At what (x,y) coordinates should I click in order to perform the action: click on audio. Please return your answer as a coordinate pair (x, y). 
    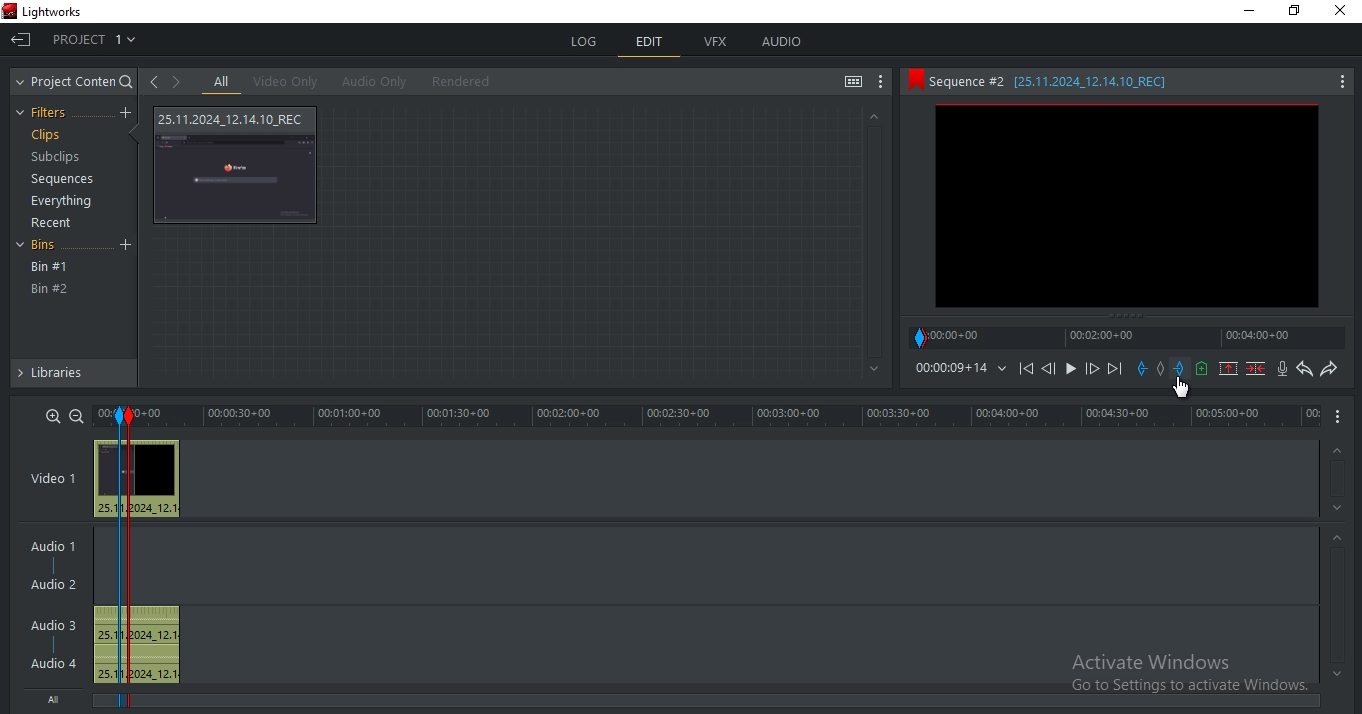
    Looking at the image, I should click on (141, 644).